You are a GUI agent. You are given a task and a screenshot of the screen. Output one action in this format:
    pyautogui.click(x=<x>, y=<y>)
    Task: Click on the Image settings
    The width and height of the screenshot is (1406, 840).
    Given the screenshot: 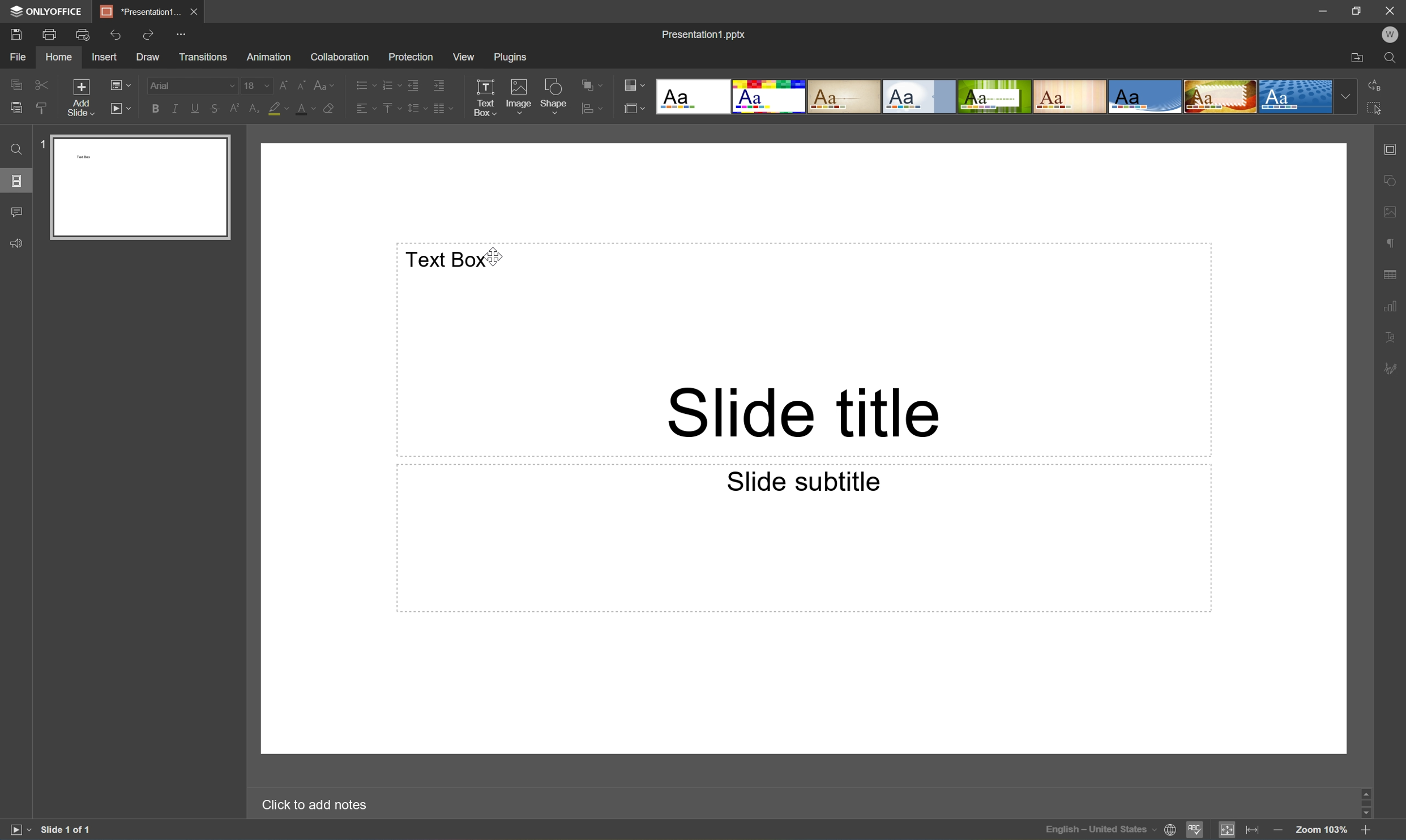 What is the action you would take?
    pyautogui.click(x=1392, y=213)
    